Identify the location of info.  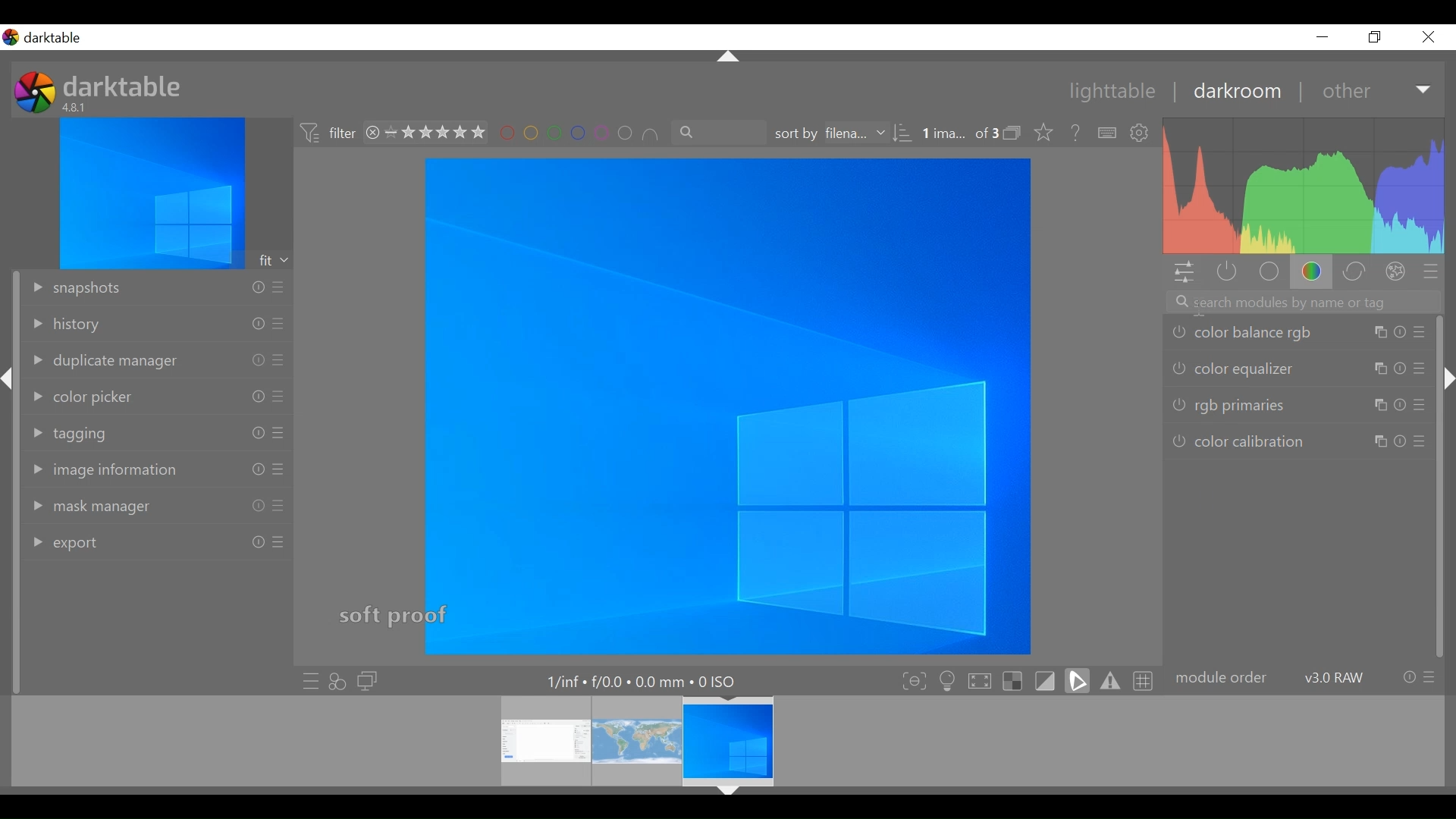
(1399, 332).